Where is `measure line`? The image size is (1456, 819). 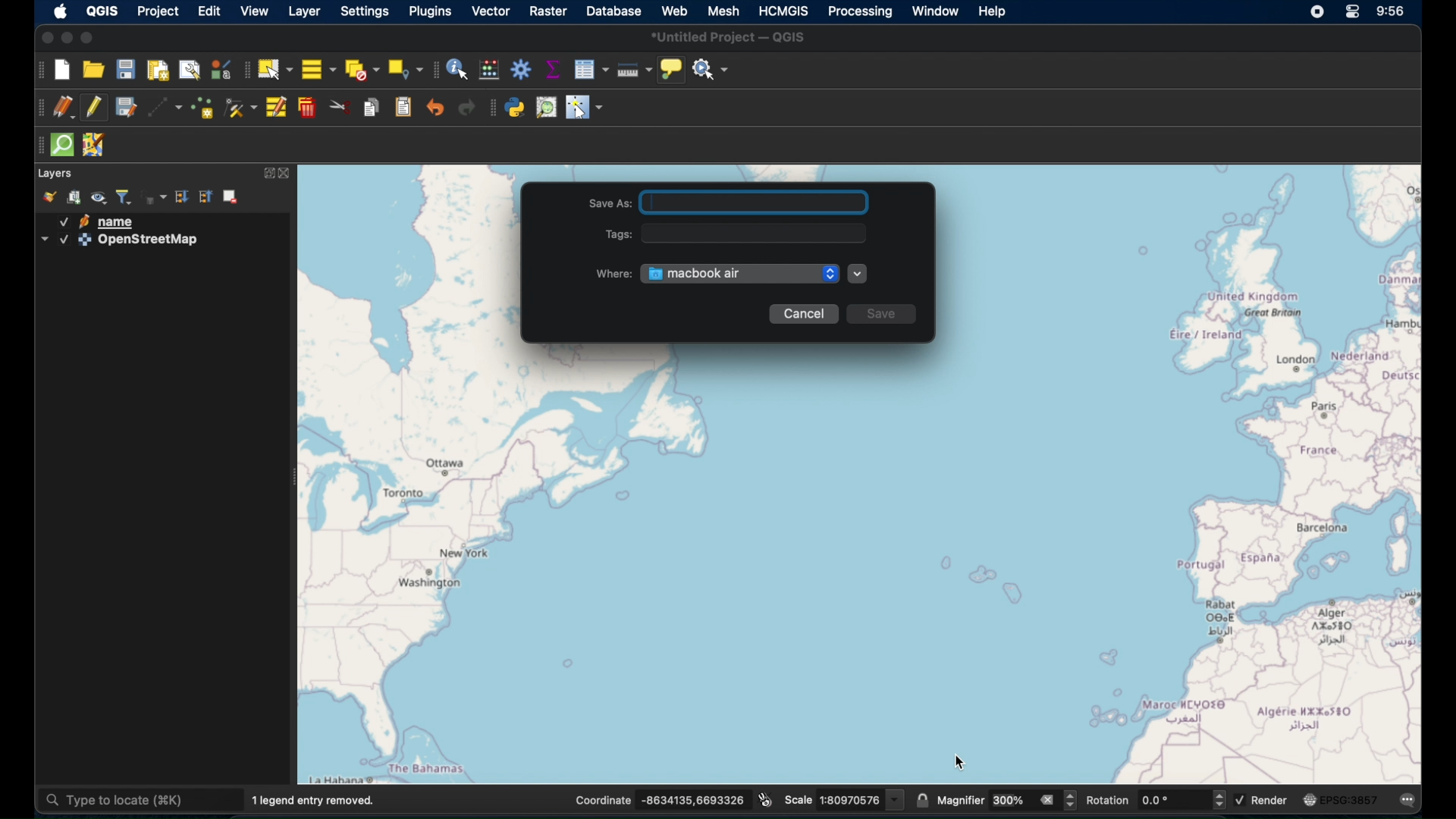 measure line is located at coordinates (635, 69).